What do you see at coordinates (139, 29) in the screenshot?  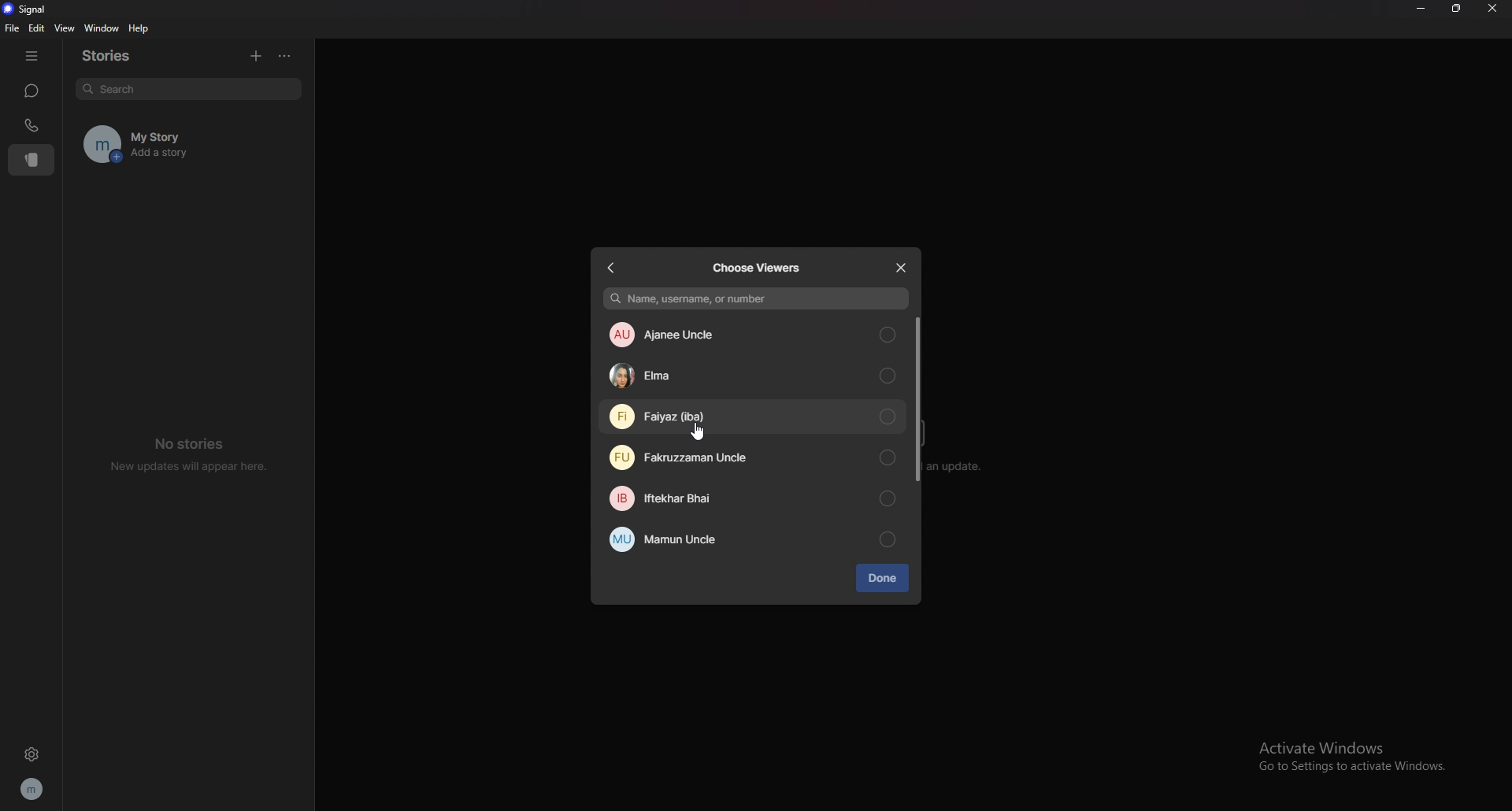 I see `help` at bounding box center [139, 29].